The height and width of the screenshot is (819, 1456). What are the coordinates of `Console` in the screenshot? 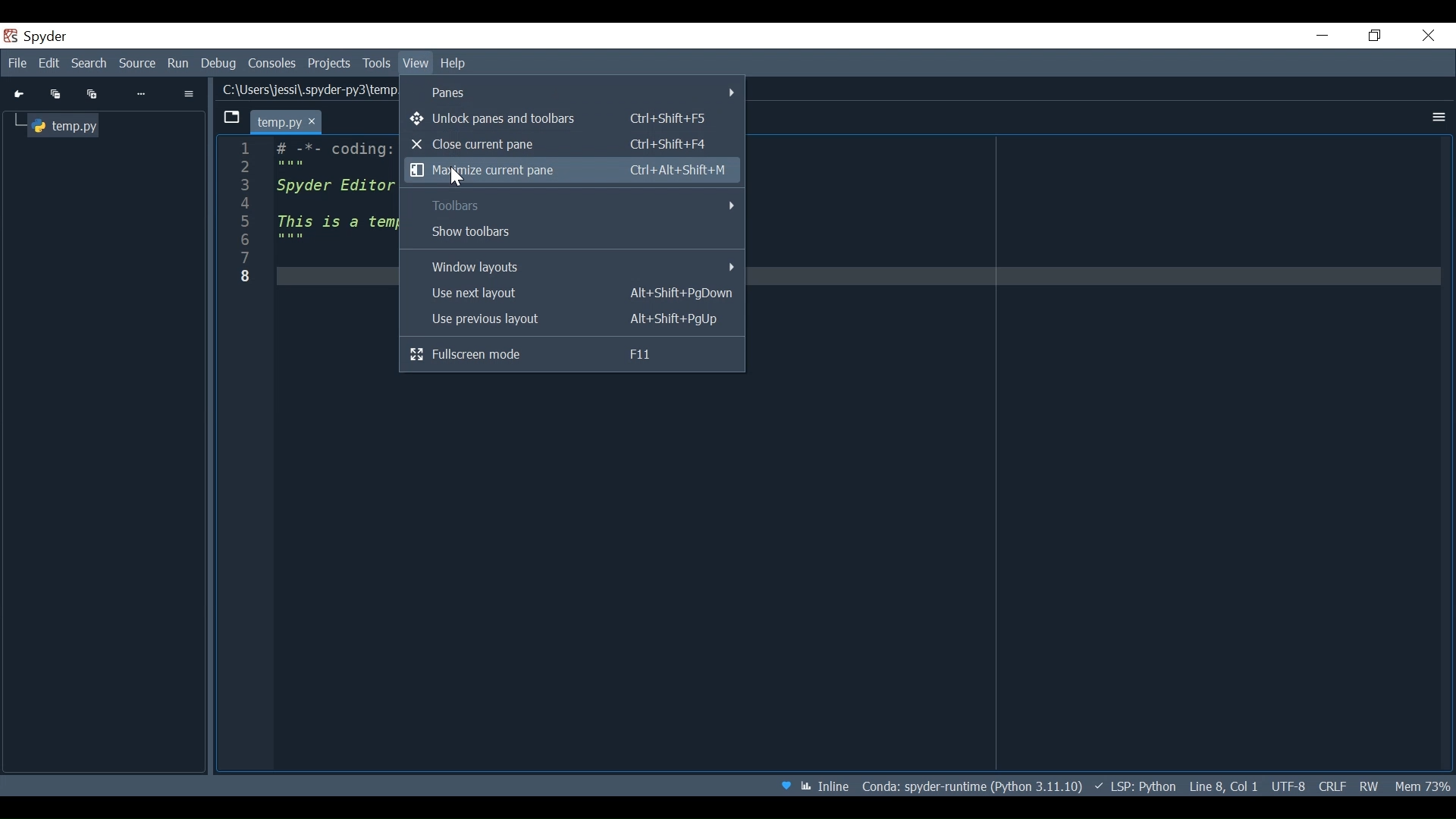 It's located at (274, 63).